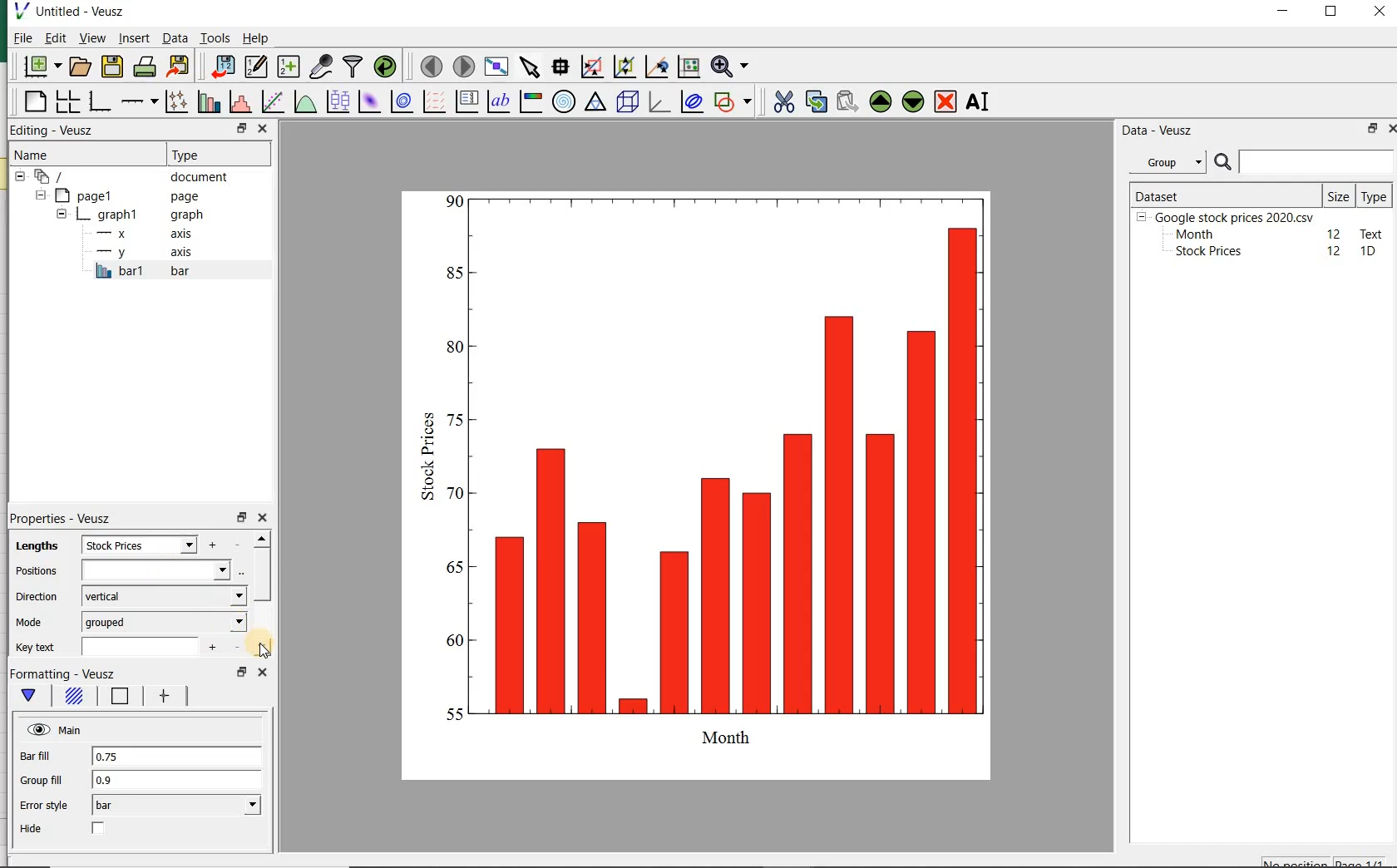  I want to click on close, so click(262, 128).